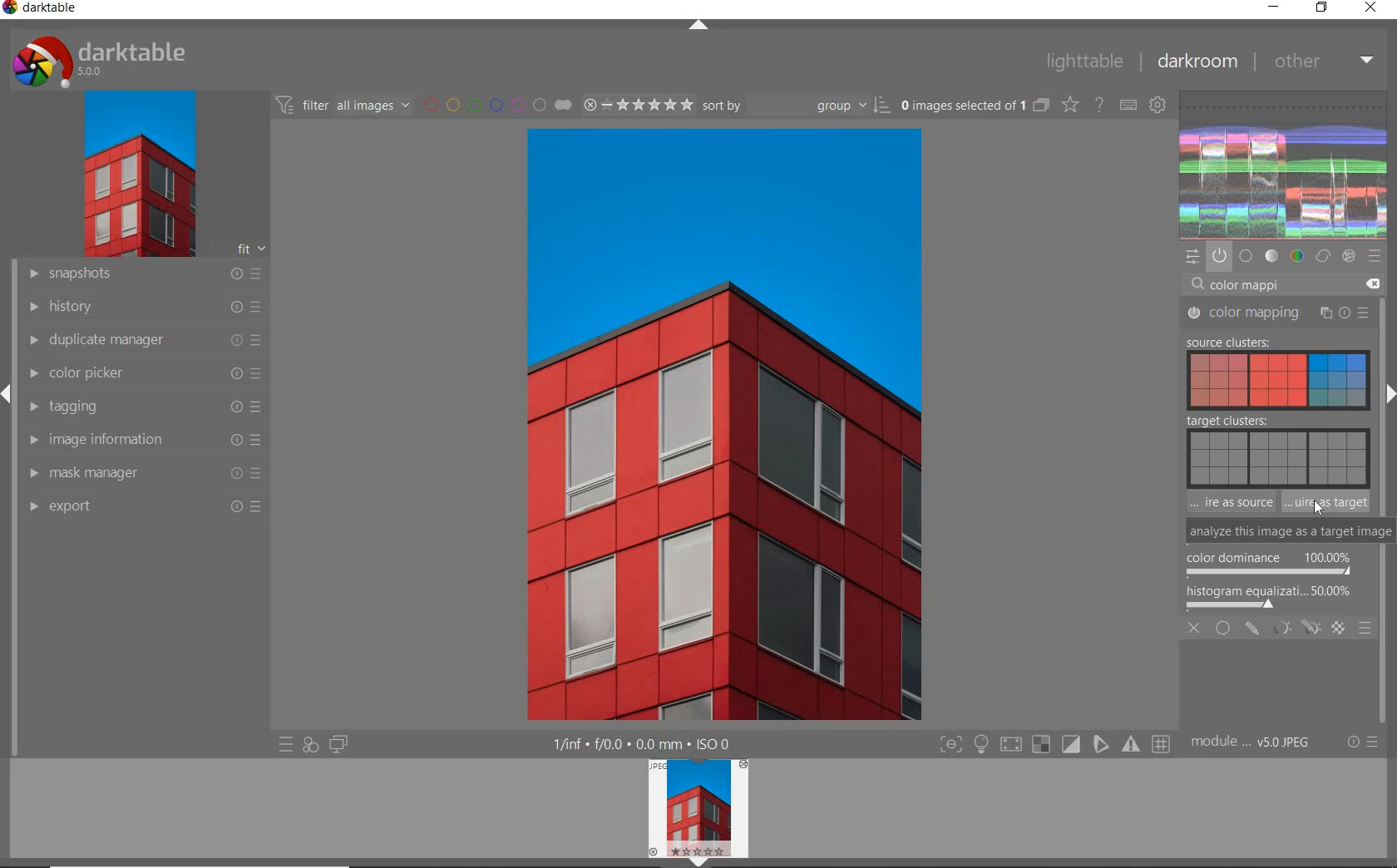 The height and width of the screenshot is (868, 1397). Describe the element at coordinates (143, 306) in the screenshot. I see `history` at that location.